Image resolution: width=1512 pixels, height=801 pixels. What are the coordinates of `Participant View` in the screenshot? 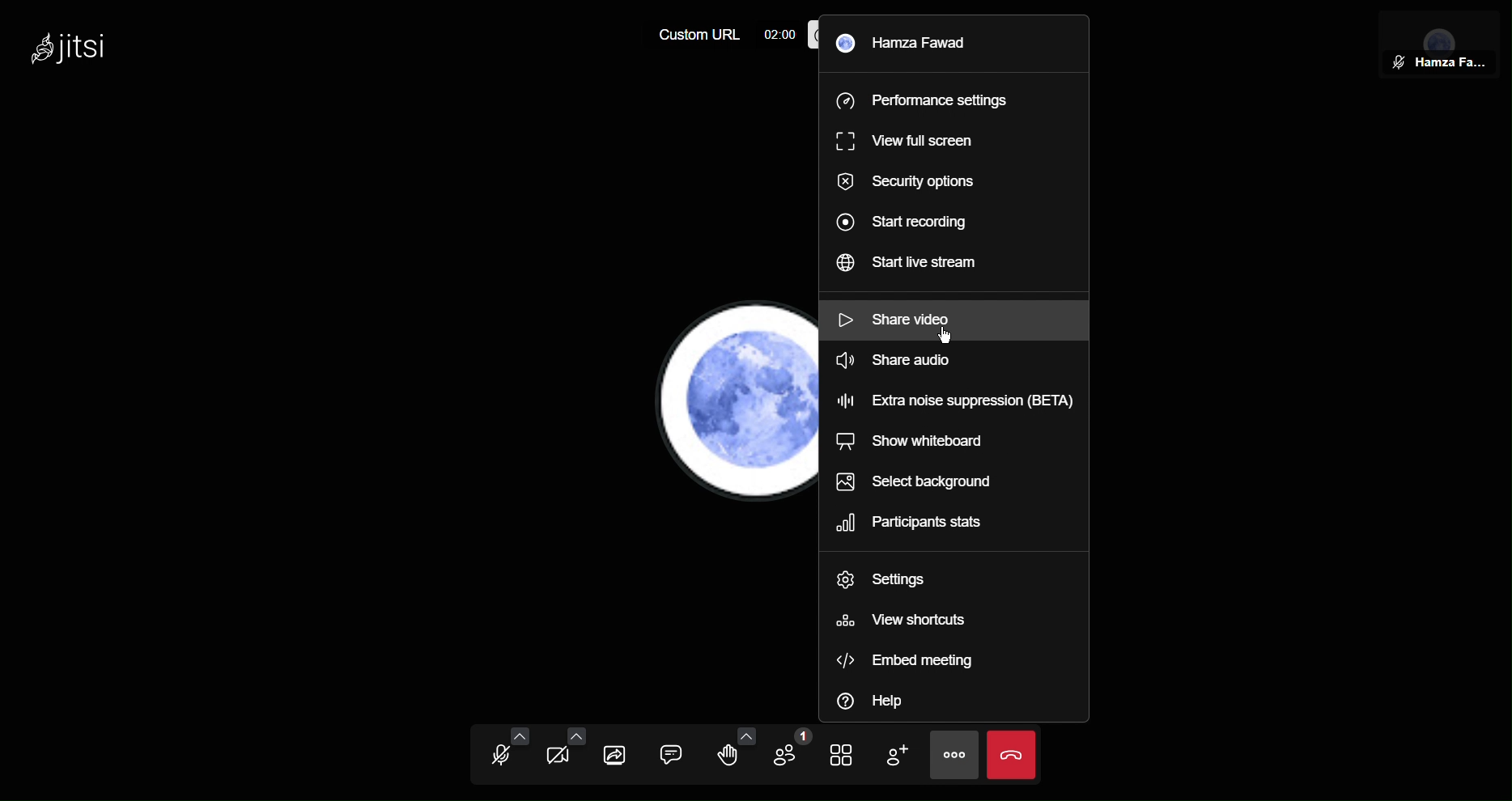 It's located at (1441, 43).